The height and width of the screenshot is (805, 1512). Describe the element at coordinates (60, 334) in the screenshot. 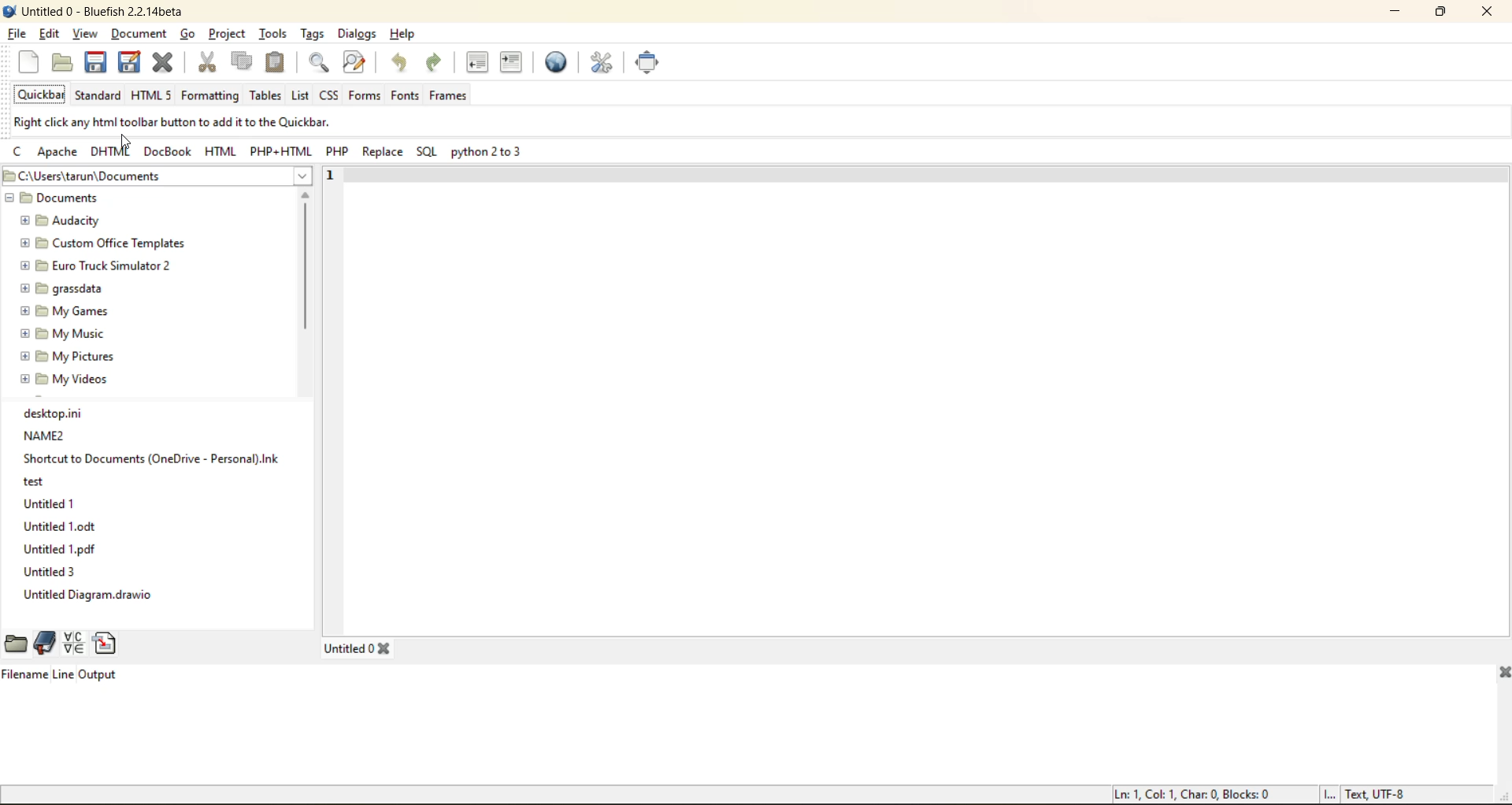

I see `My Music` at that location.